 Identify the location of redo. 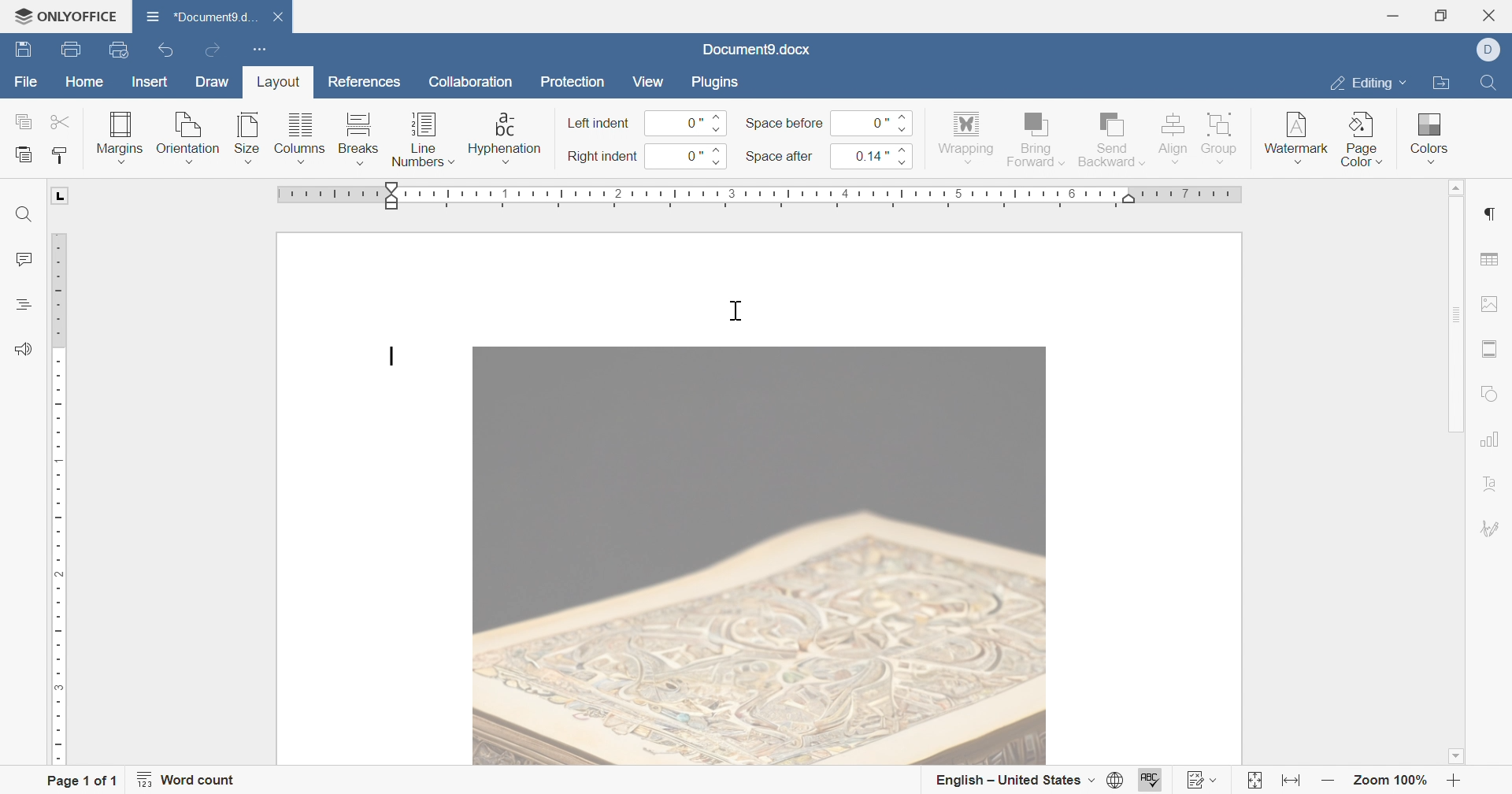
(215, 52).